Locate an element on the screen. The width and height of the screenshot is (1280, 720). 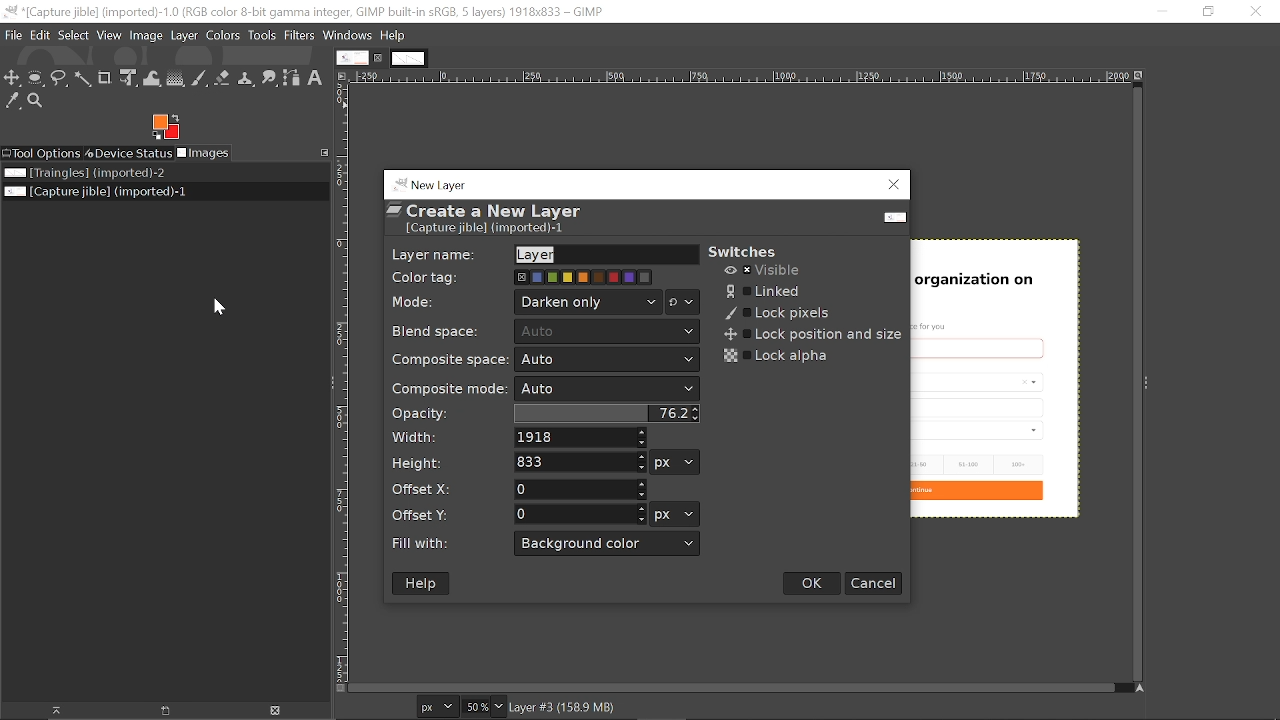
Vertical label is located at coordinates (341, 382).